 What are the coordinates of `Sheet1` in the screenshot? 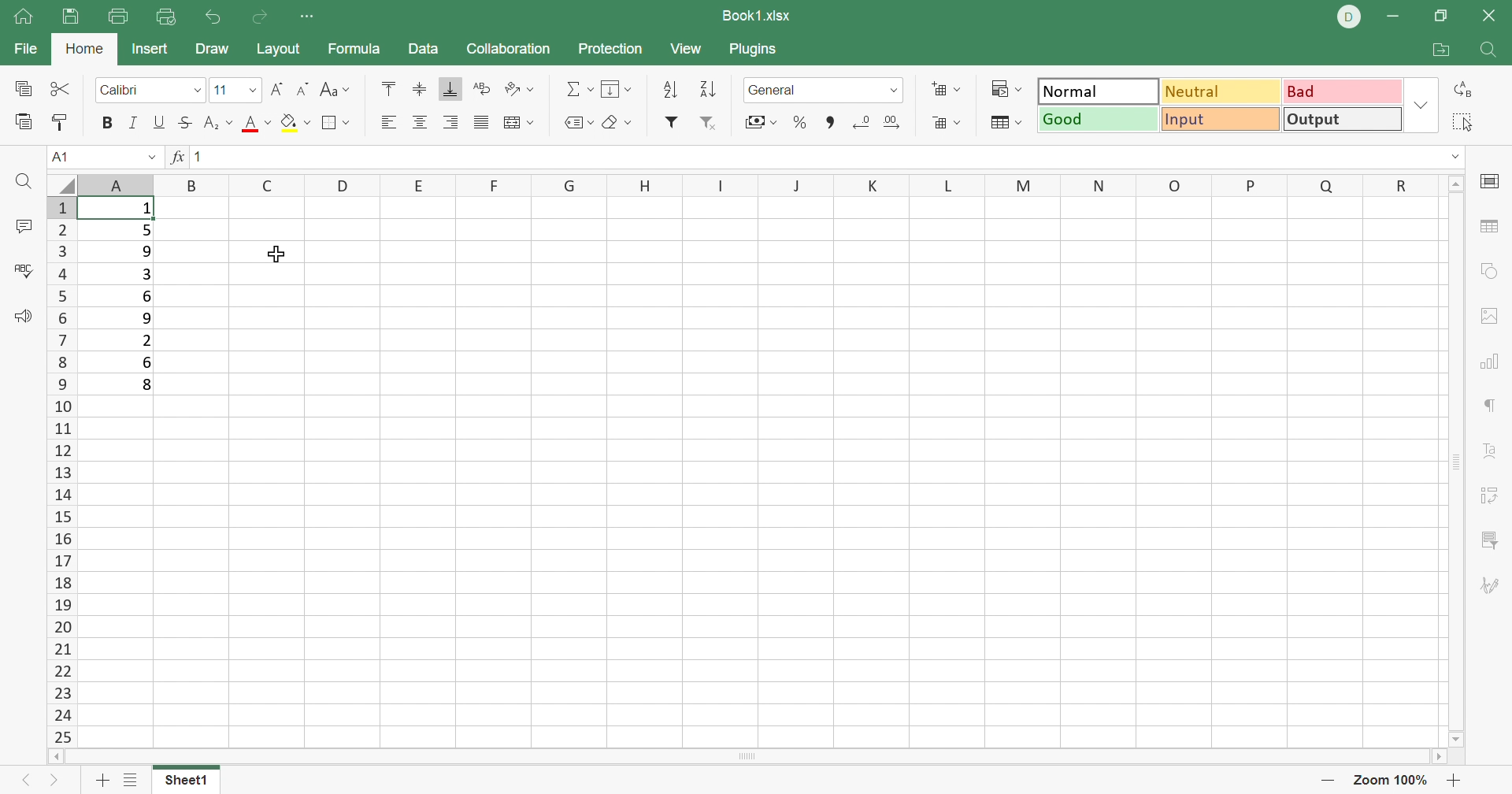 It's located at (190, 783).